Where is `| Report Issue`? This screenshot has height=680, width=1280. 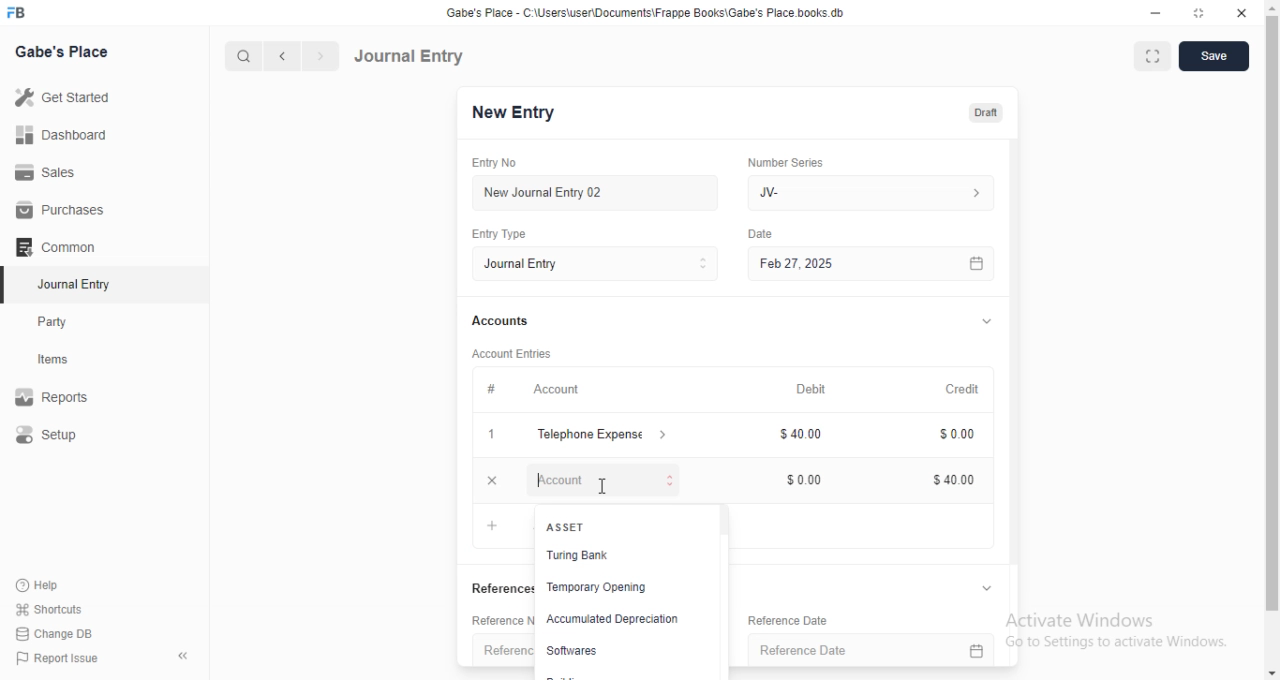 | Report Issue is located at coordinates (59, 658).